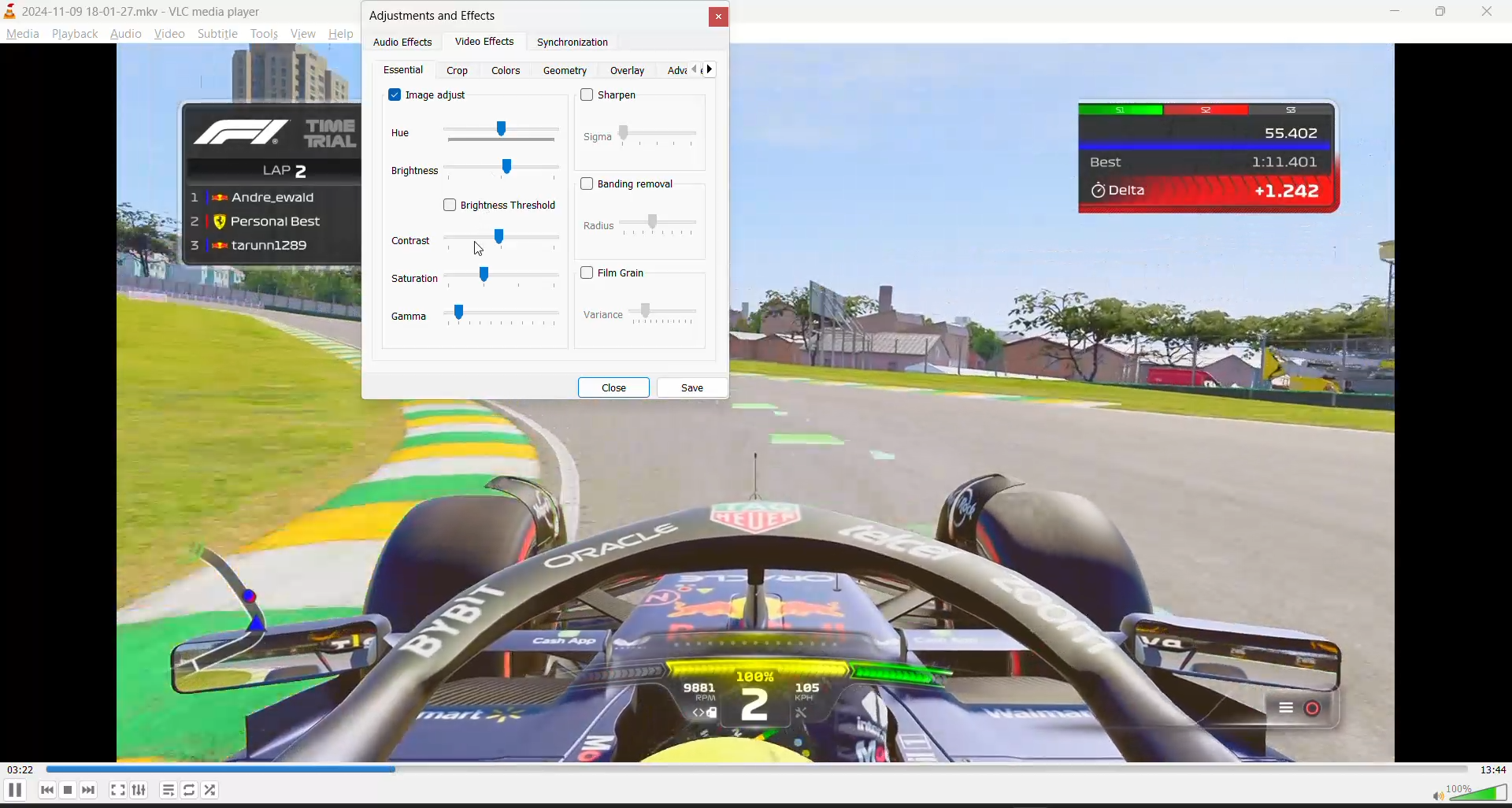 The image size is (1512, 808). I want to click on geometry, so click(566, 71).